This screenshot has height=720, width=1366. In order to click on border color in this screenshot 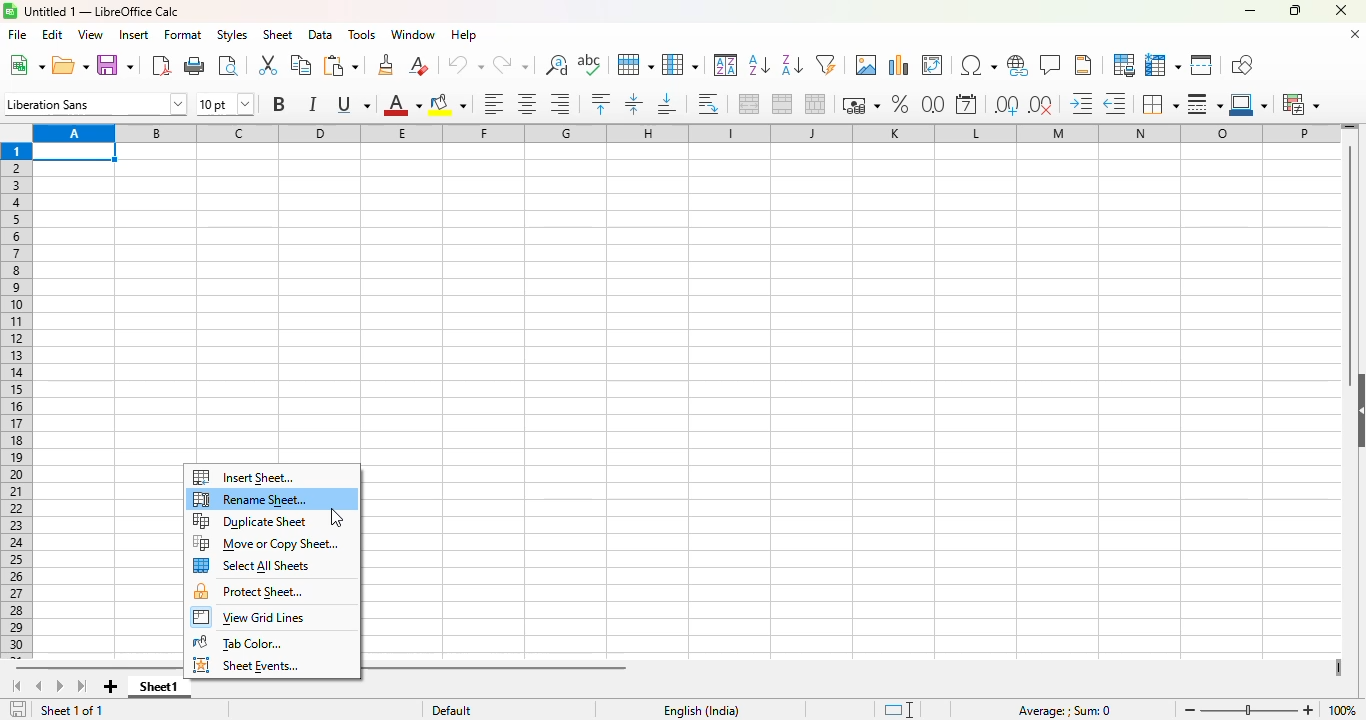, I will do `click(1250, 104)`.